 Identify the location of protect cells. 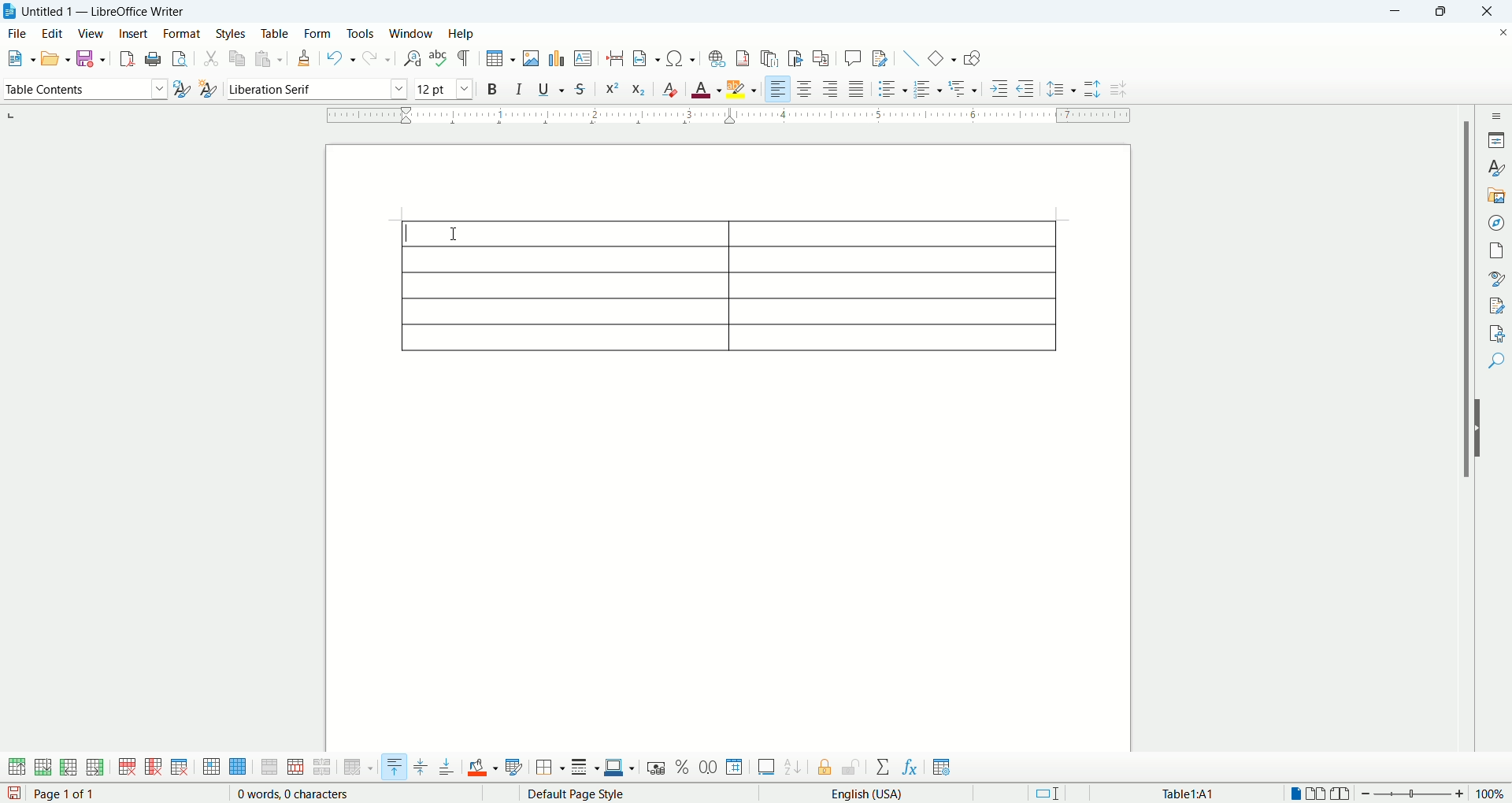
(823, 769).